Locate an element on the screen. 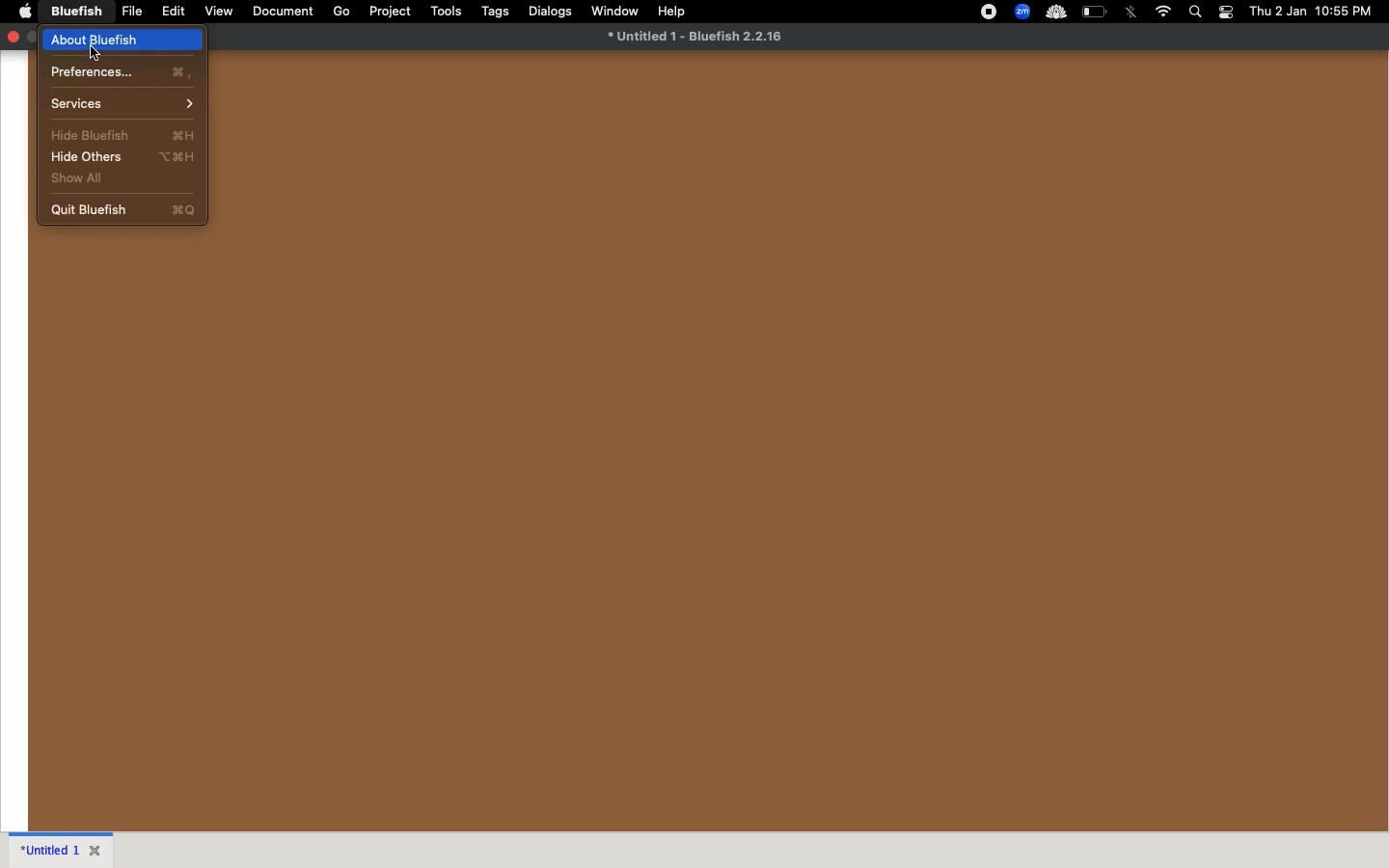  project is located at coordinates (392, 11).